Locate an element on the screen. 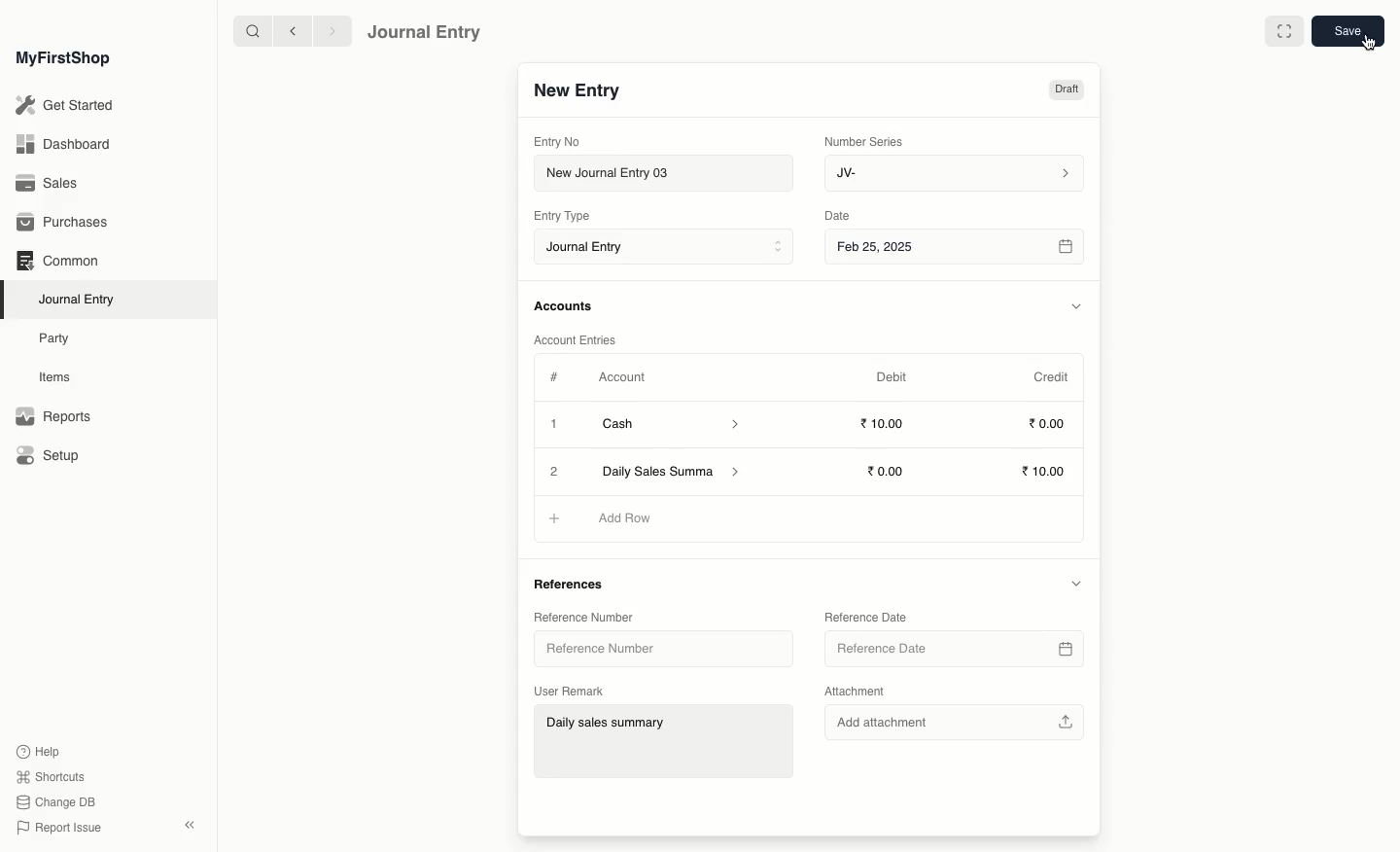 The width and height of the screenshot is (1400, 852). forward > is located at coordinates (328, 30).